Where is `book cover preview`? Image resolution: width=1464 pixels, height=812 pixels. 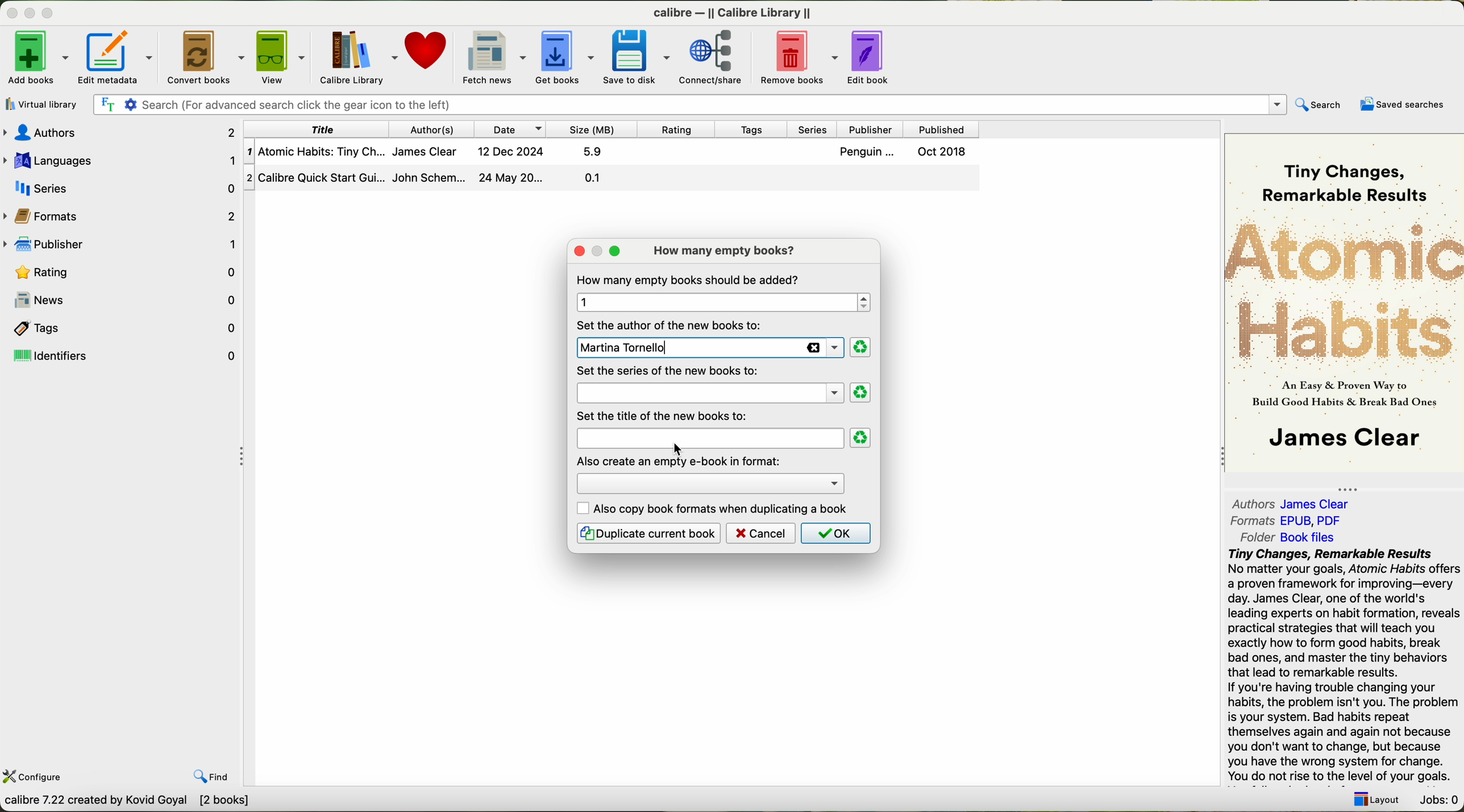
book cover preview is located at coordinates (1345, 302).